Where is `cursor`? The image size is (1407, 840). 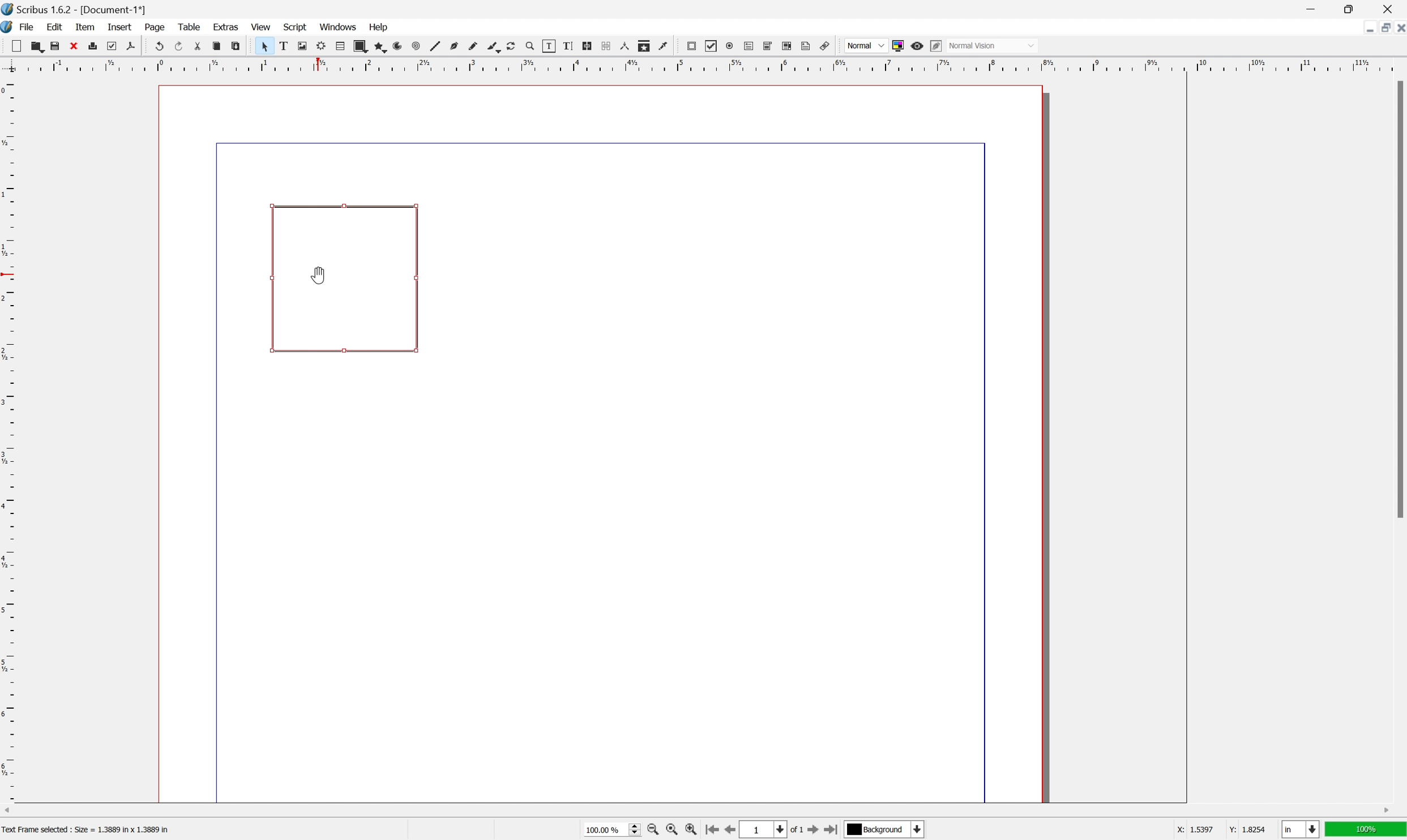 cursor is located at coordinates (263, 46).